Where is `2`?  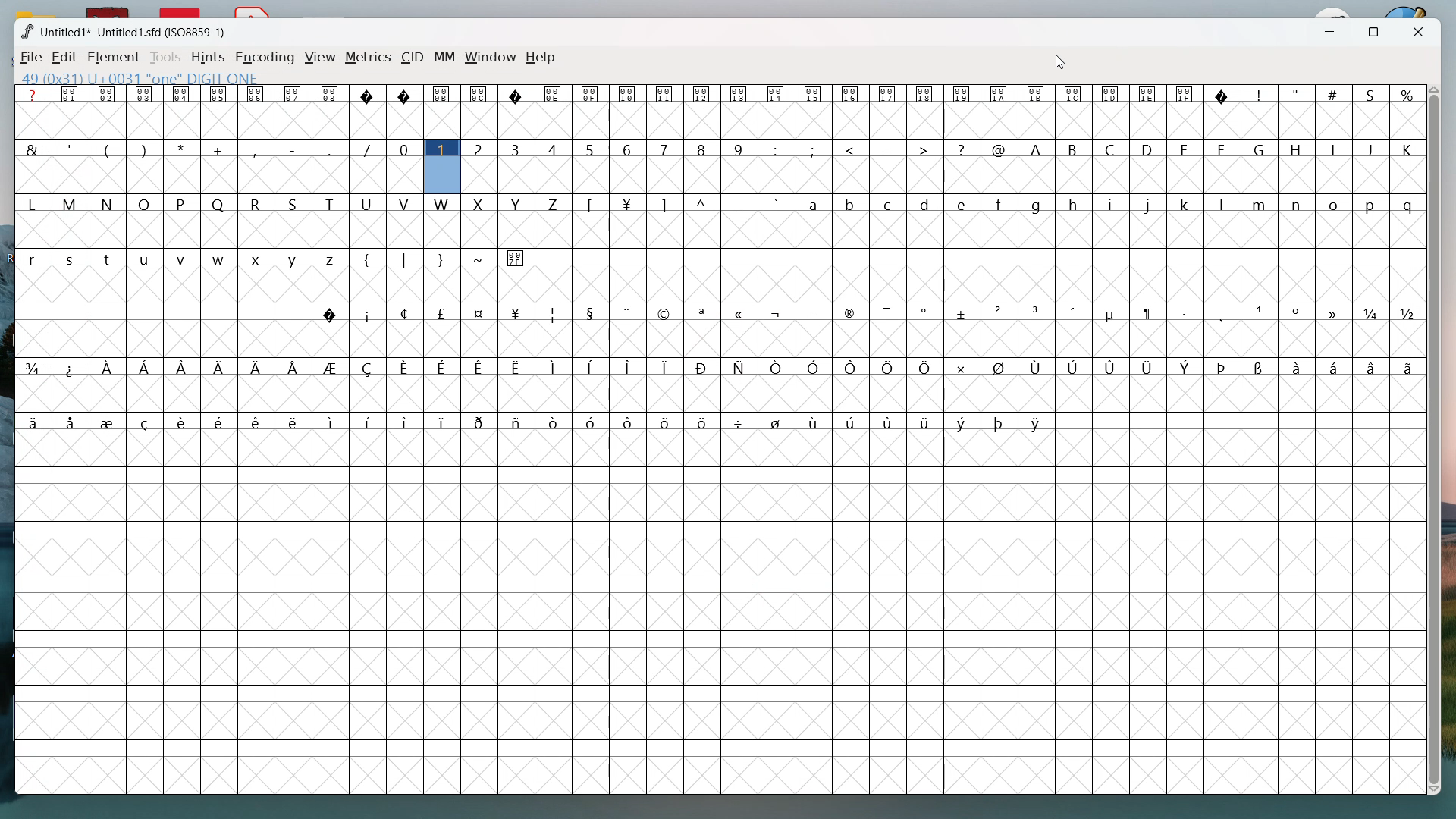
2 is located at coordinates (479, 149).